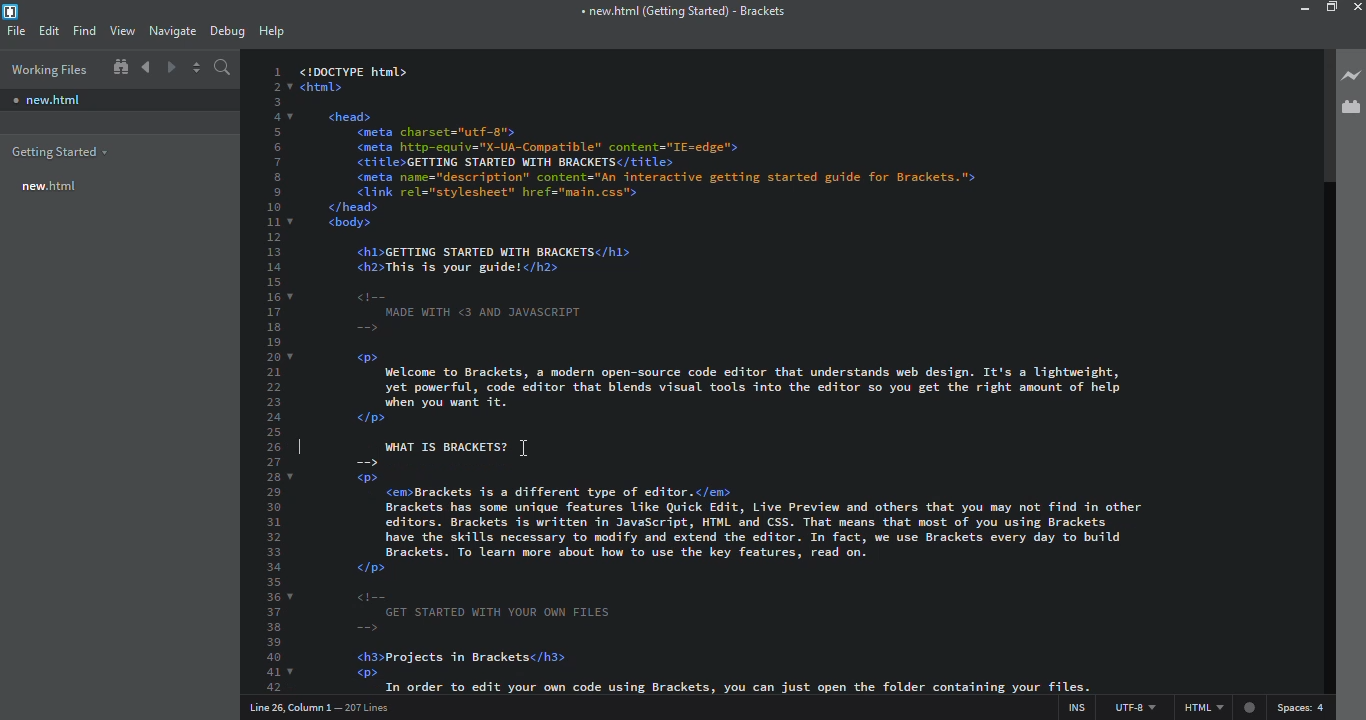 The width and height of the screenshot is (1366, 720). I want to click on line number, so click(315, 710).